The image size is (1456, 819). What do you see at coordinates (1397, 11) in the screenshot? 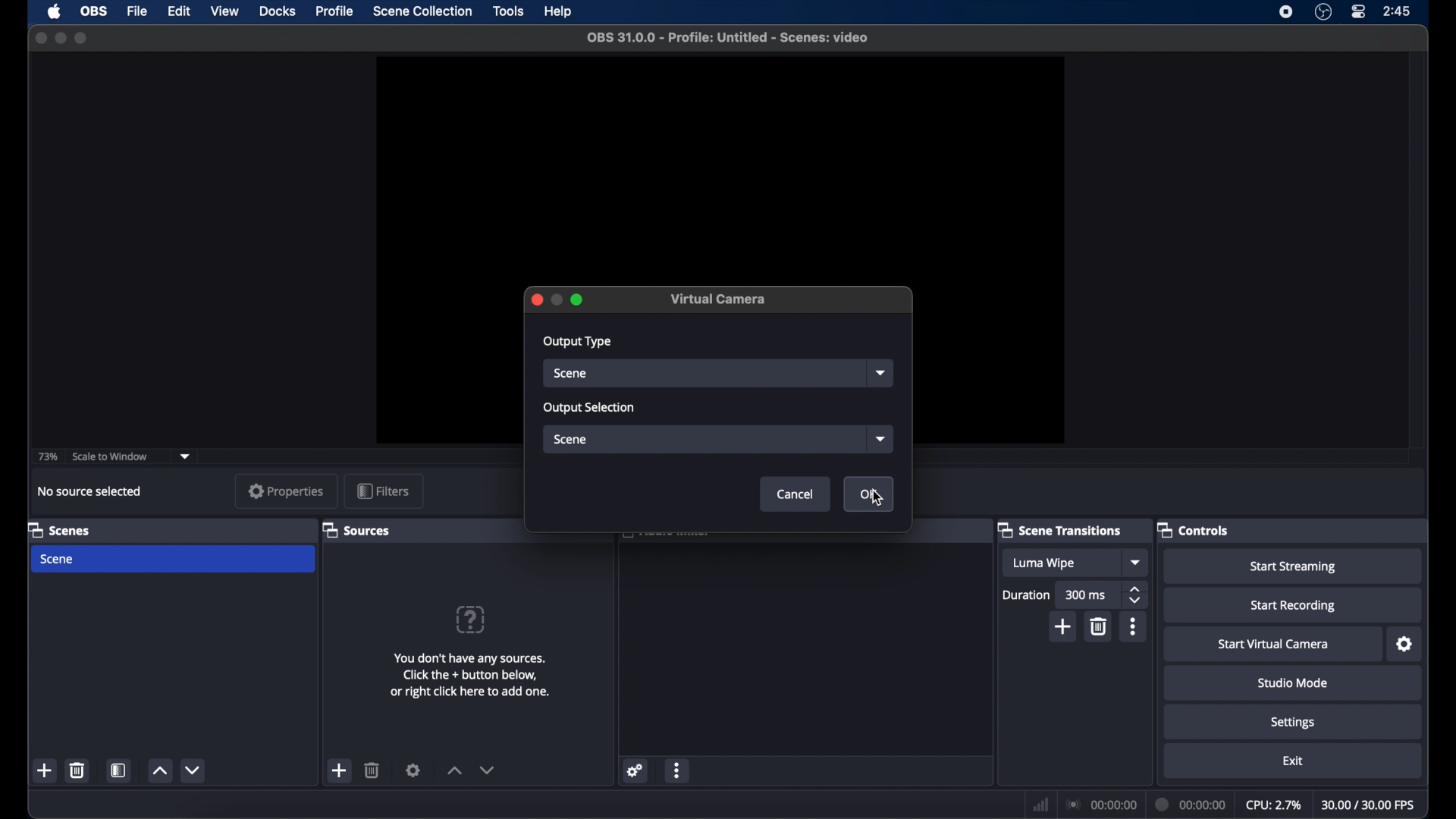
I see `time` at bounding box center [1397, 11].